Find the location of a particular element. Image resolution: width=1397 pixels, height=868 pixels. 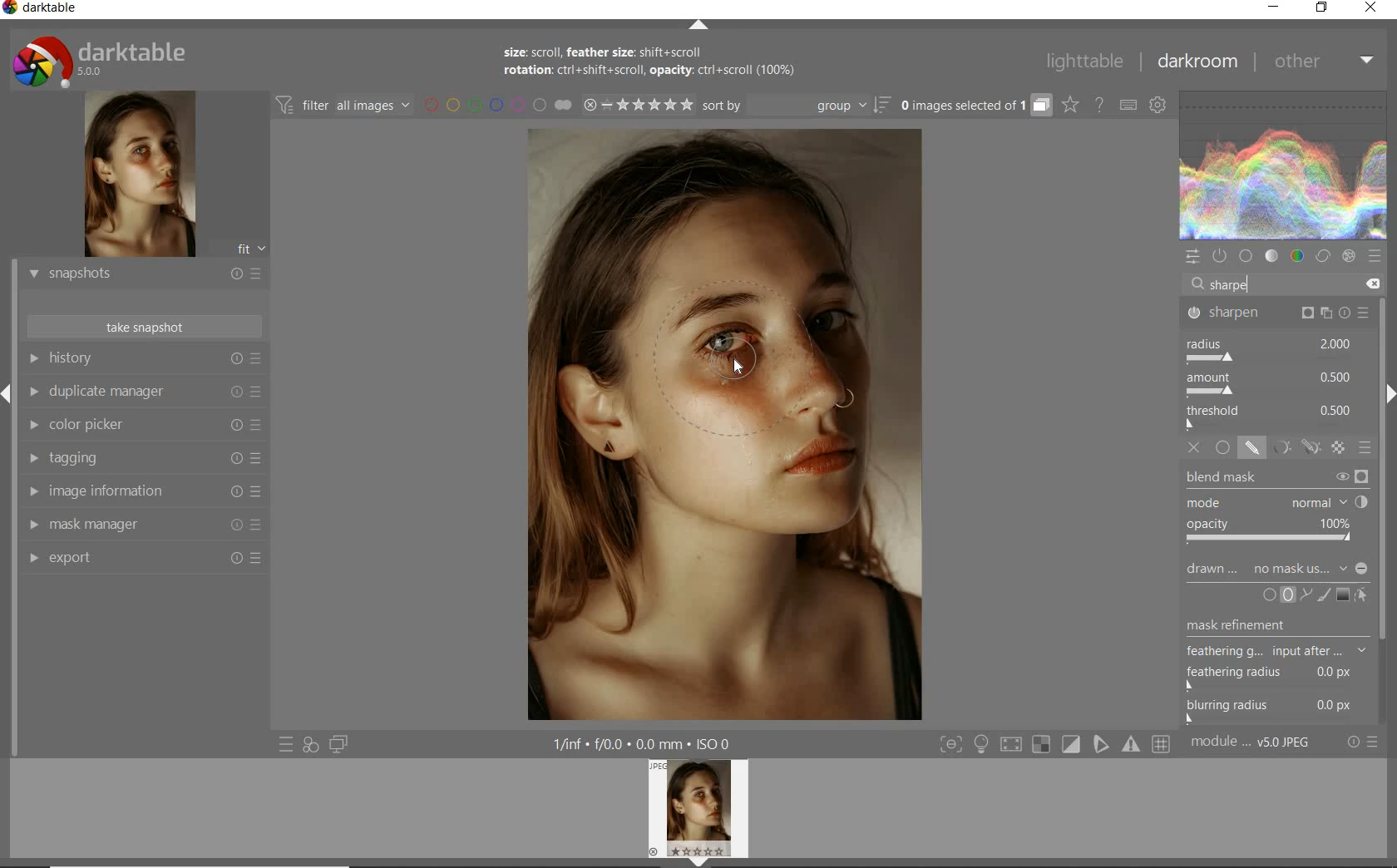

quick access panel is located at coordinates (1193, 257).